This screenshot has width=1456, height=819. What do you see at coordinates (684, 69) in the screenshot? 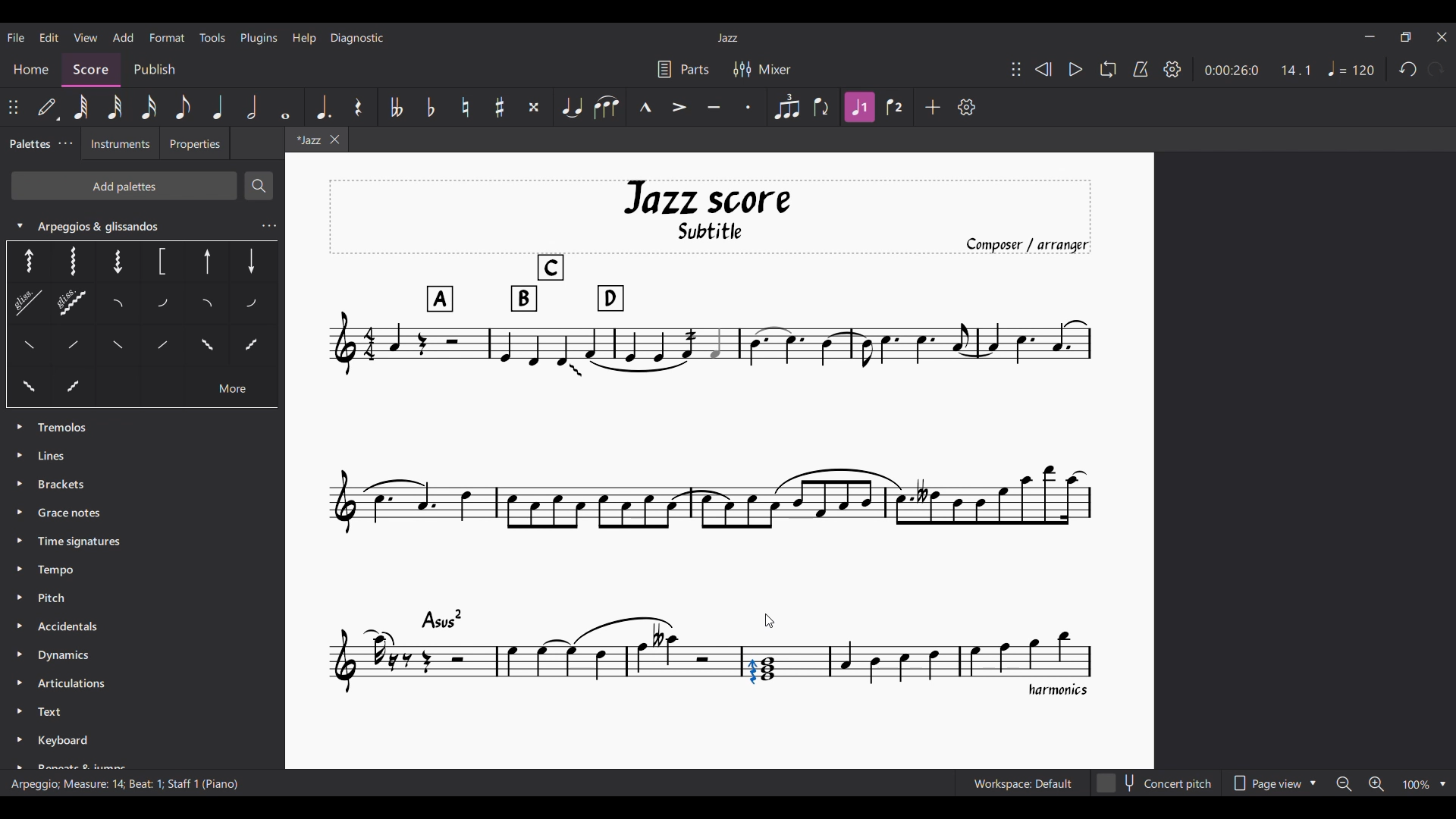
I see `Parts settings` at bounding box center [684, 69].